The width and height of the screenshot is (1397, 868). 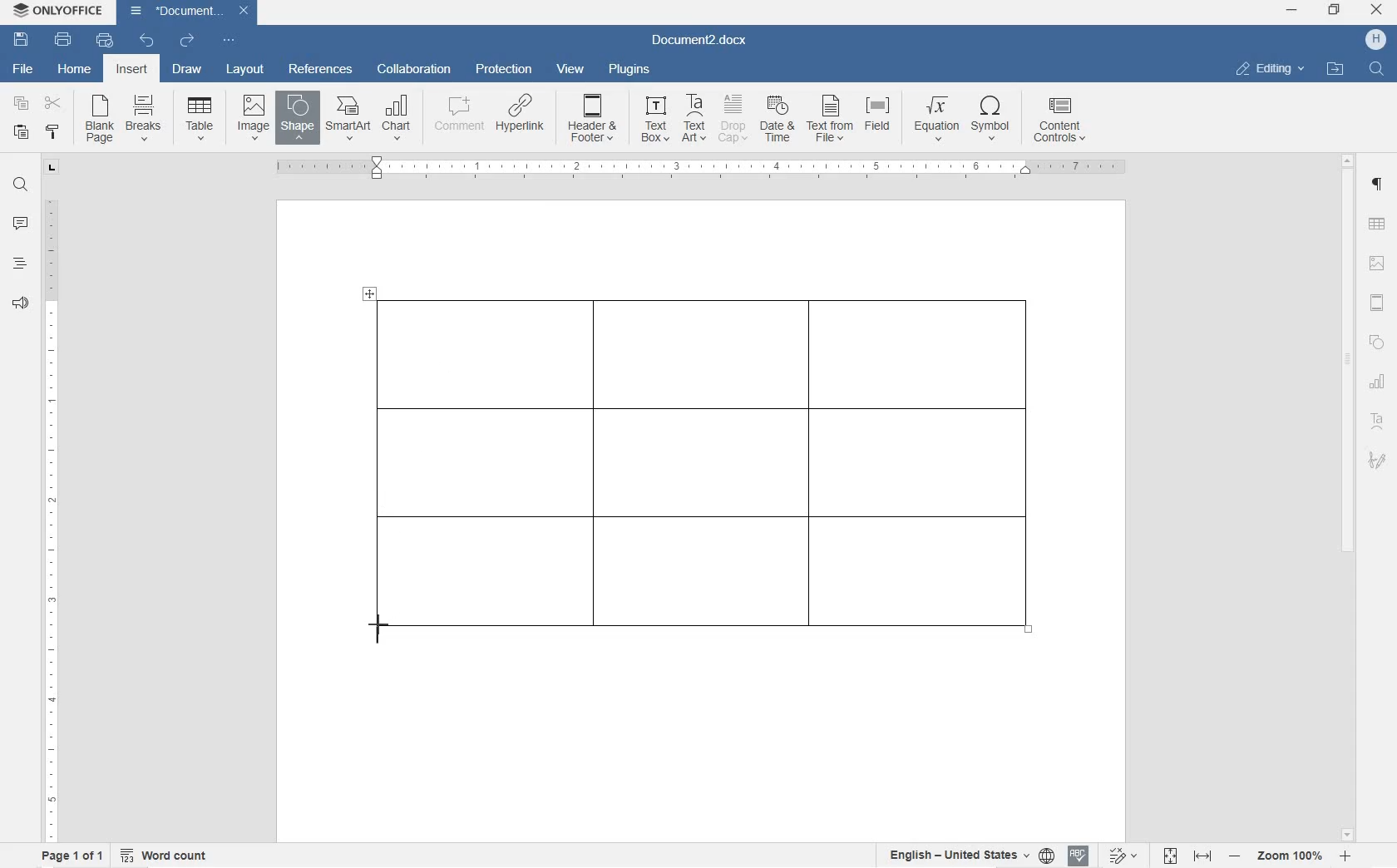 What do you see at coordinates (131, 70) in the screenshot?
I see `insert` at bounding box center [131, 70].